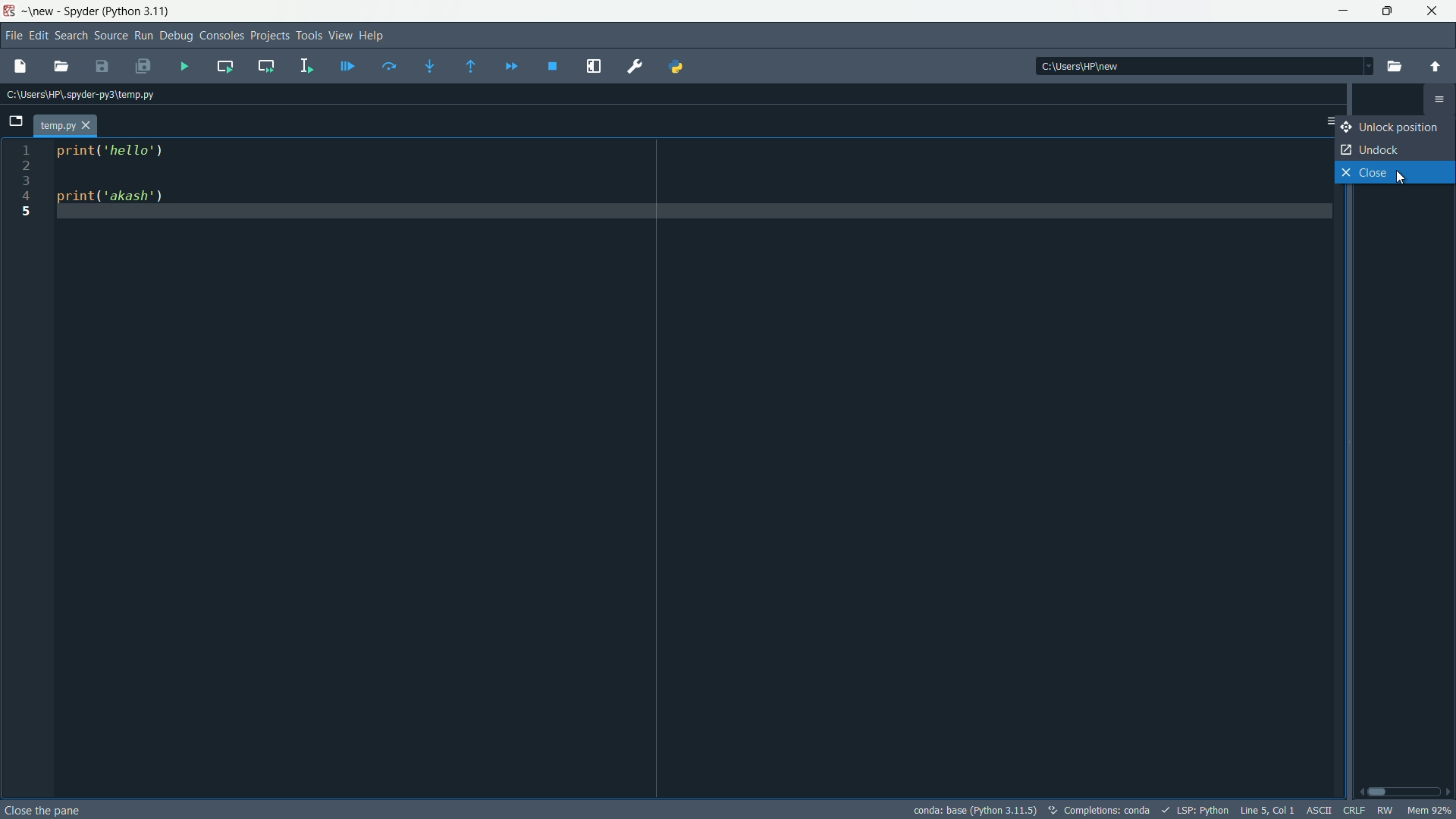 This screenshot has height=819, width=1456. Describe the element at coordinates (220, 35) in the screenshot. I see `Consoles Menu` at that location.